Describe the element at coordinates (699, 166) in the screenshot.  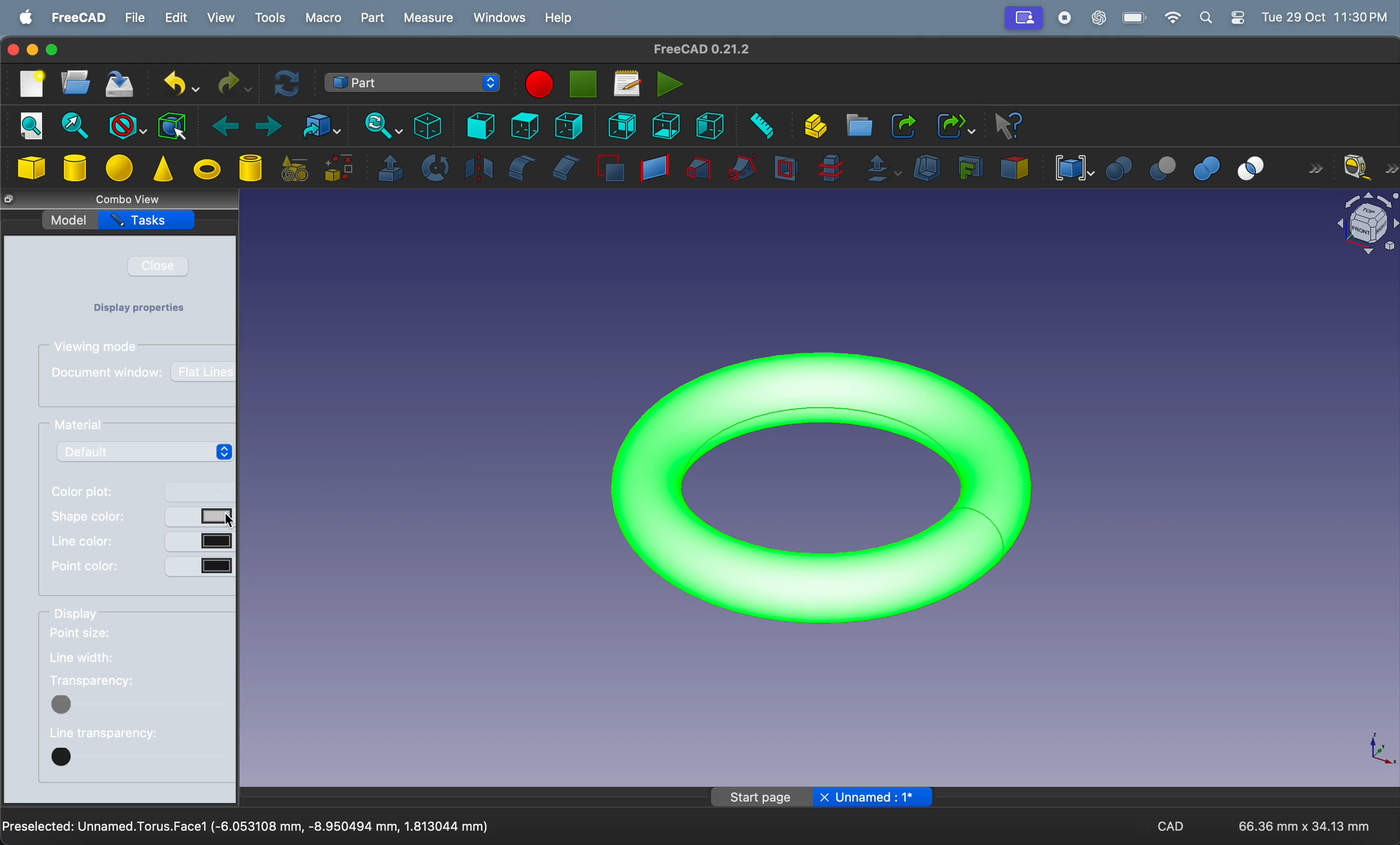
I see `loft` at that location.